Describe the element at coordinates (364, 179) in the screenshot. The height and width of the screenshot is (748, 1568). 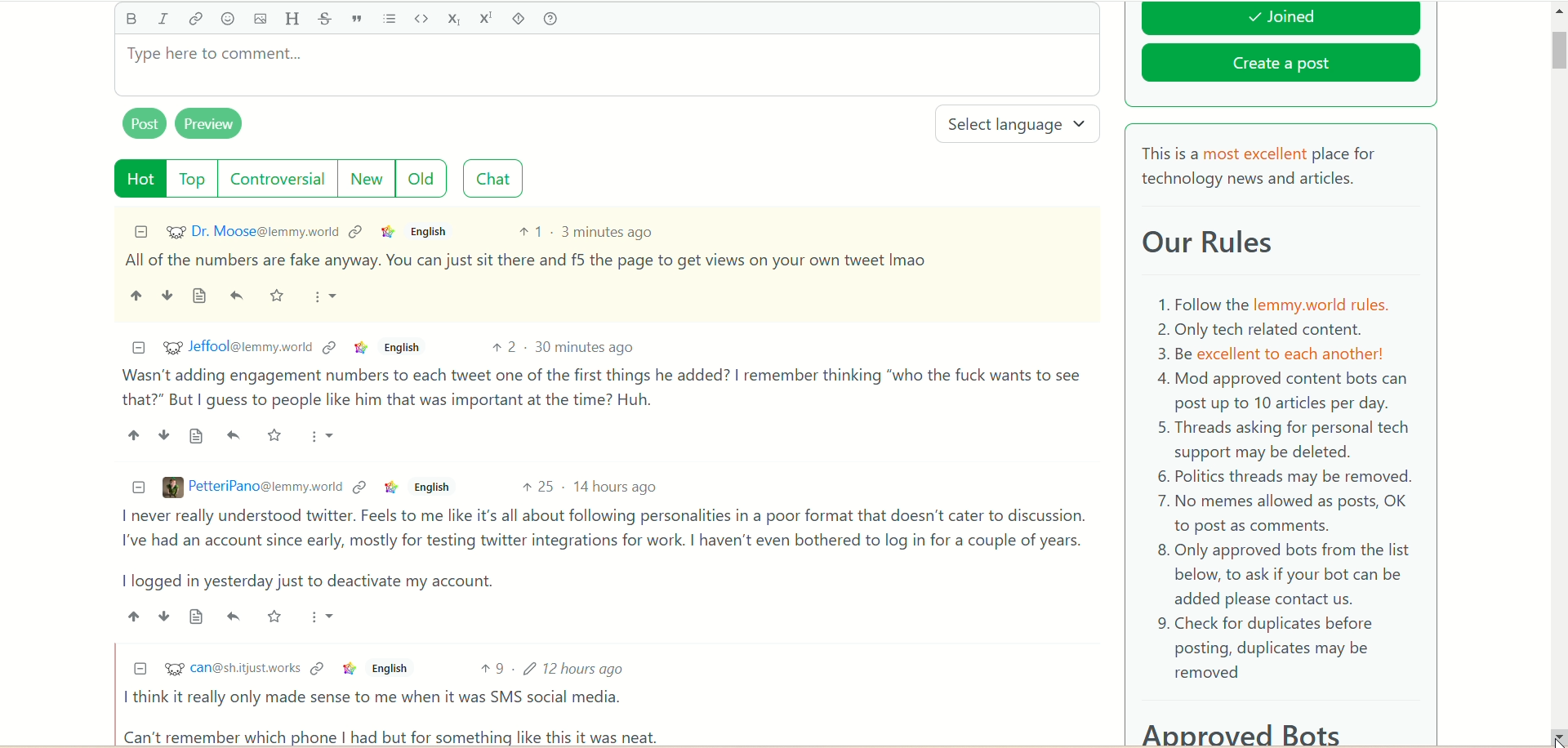
I see `new` at that location.